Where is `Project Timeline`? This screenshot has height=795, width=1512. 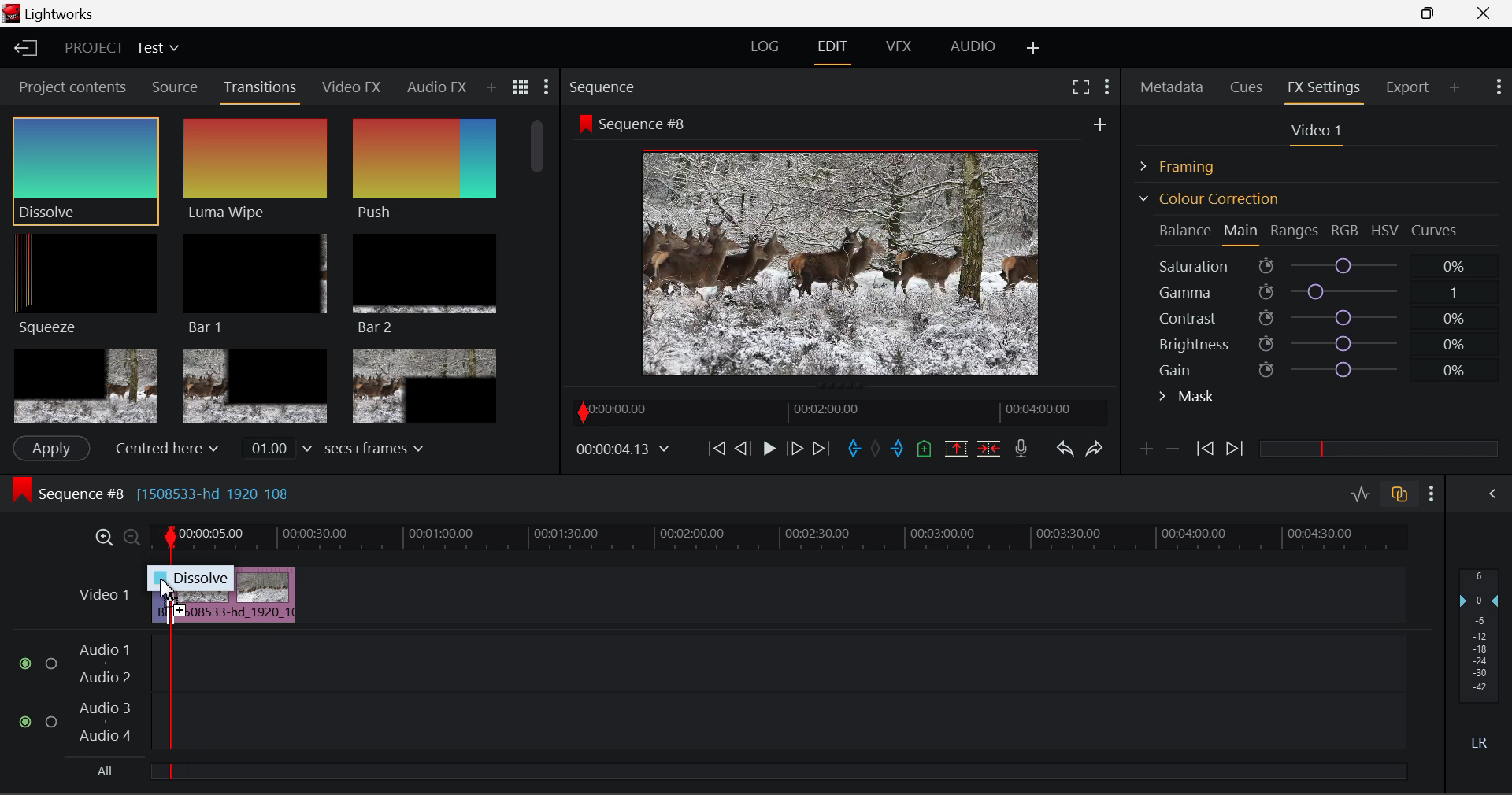 Project Timeline is located at coordinates (780, 538).